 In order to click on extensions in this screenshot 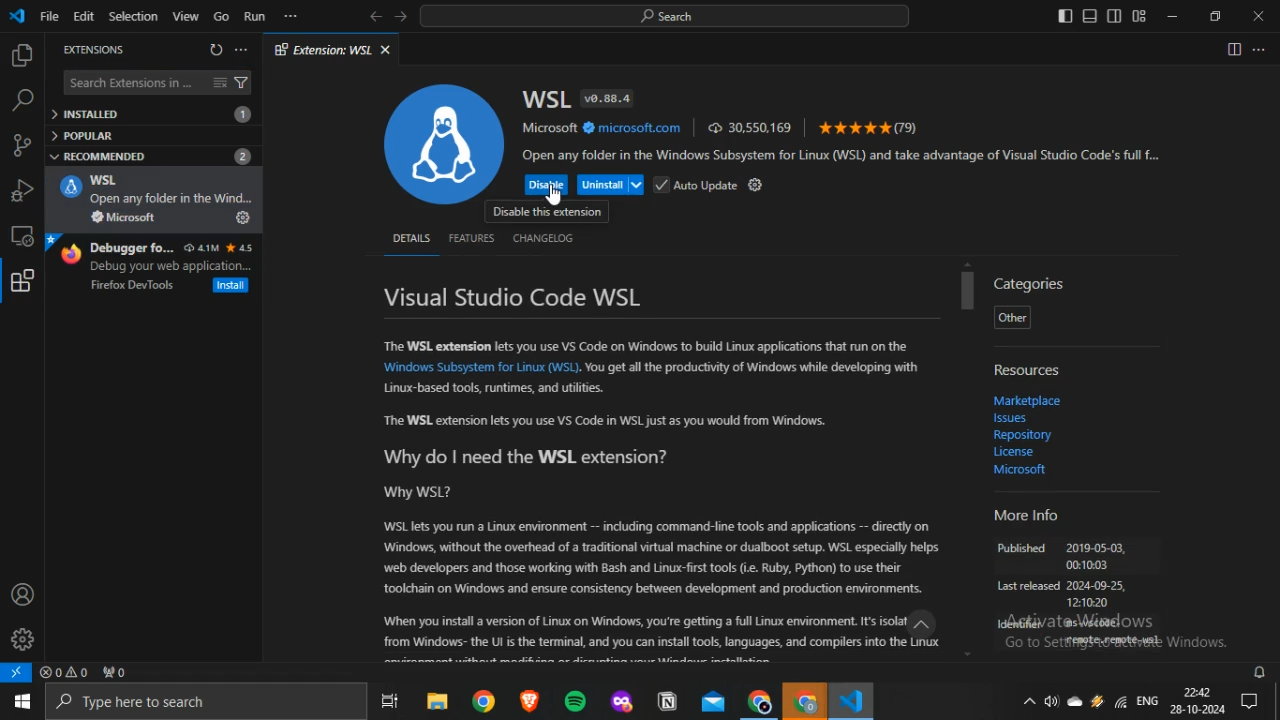, I will do `click(24, 282)`.